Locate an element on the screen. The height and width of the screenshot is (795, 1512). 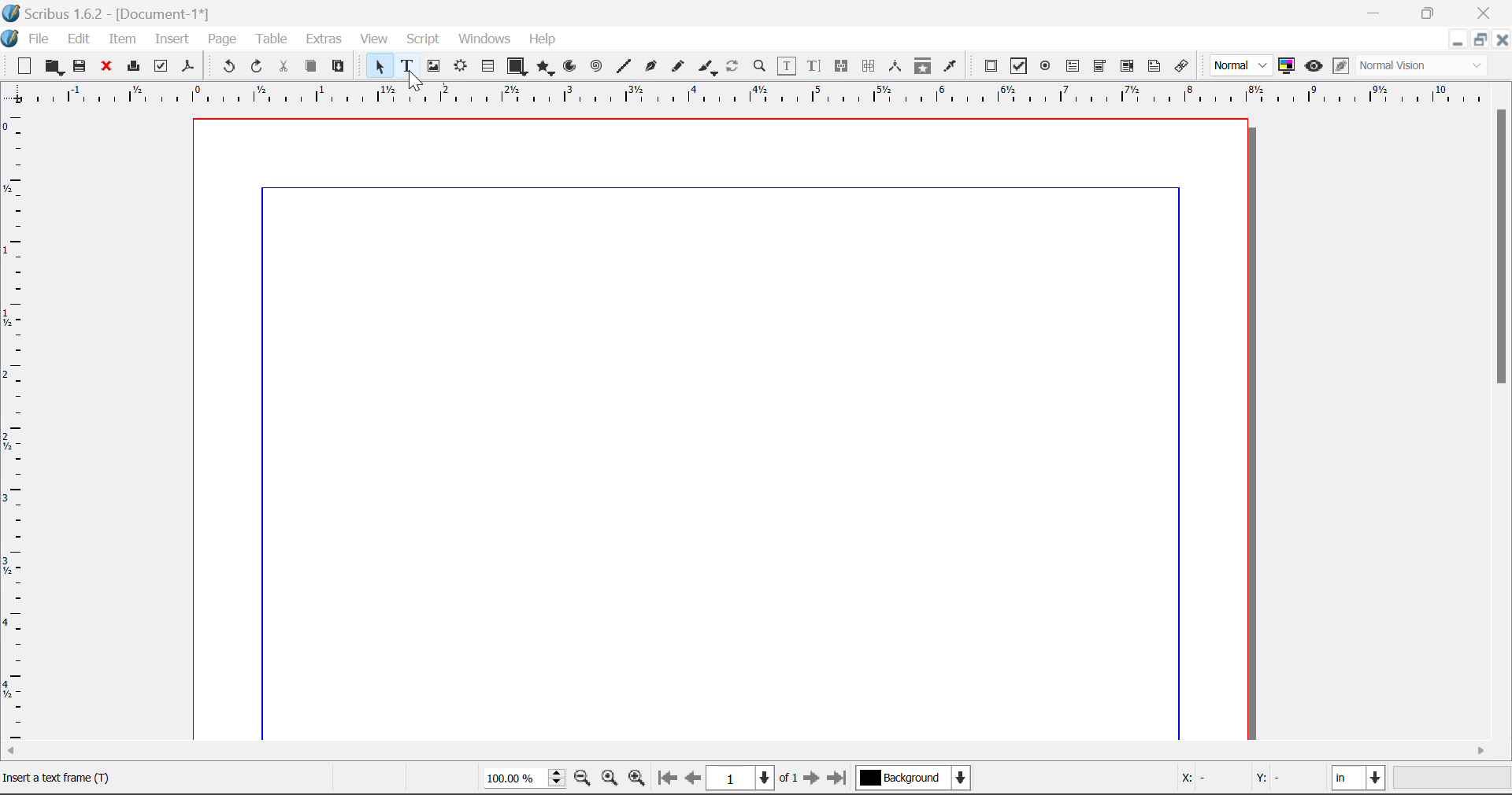
Windows is located at coordinates (484, 40).